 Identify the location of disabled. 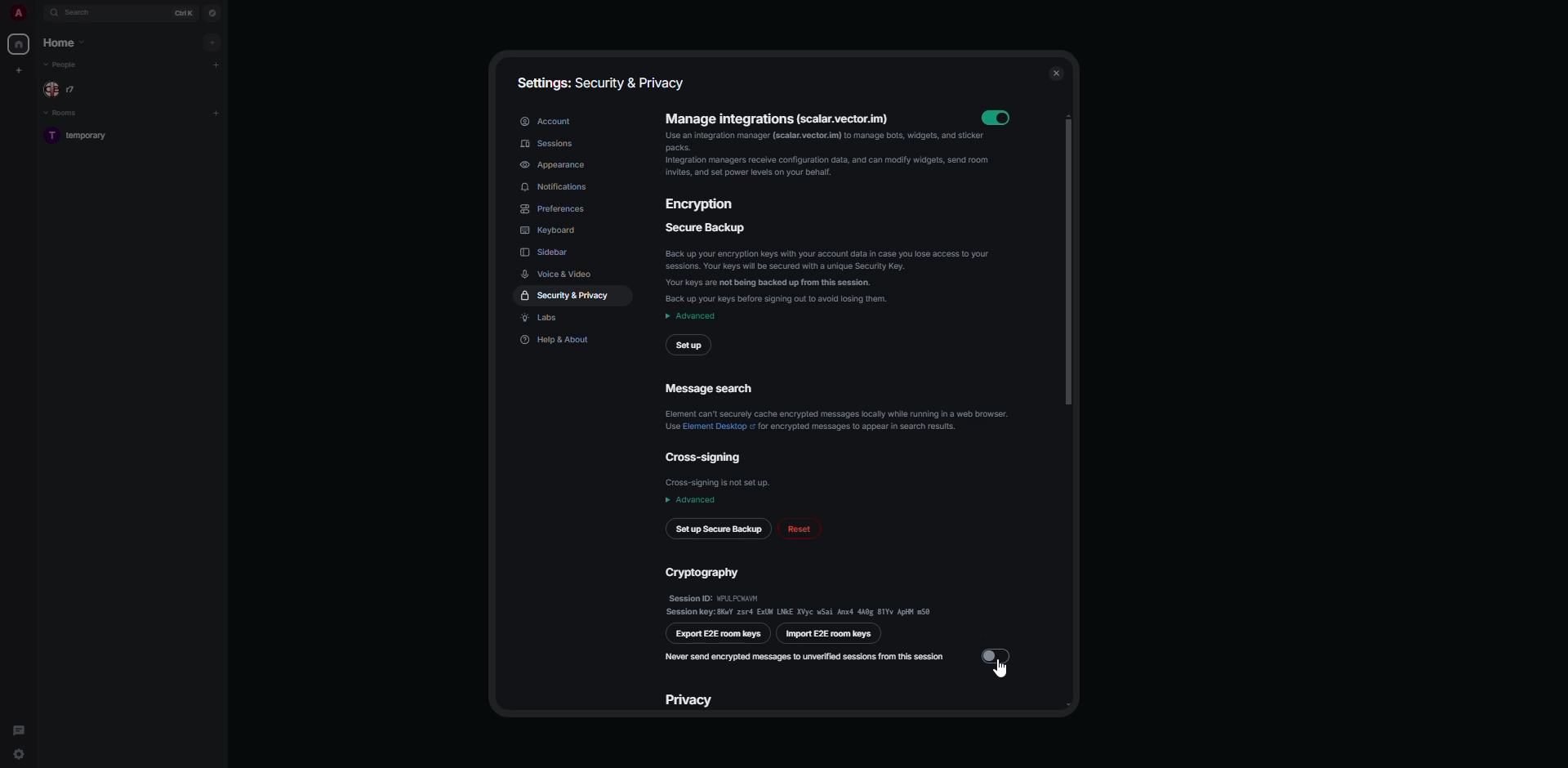
(996, 654).